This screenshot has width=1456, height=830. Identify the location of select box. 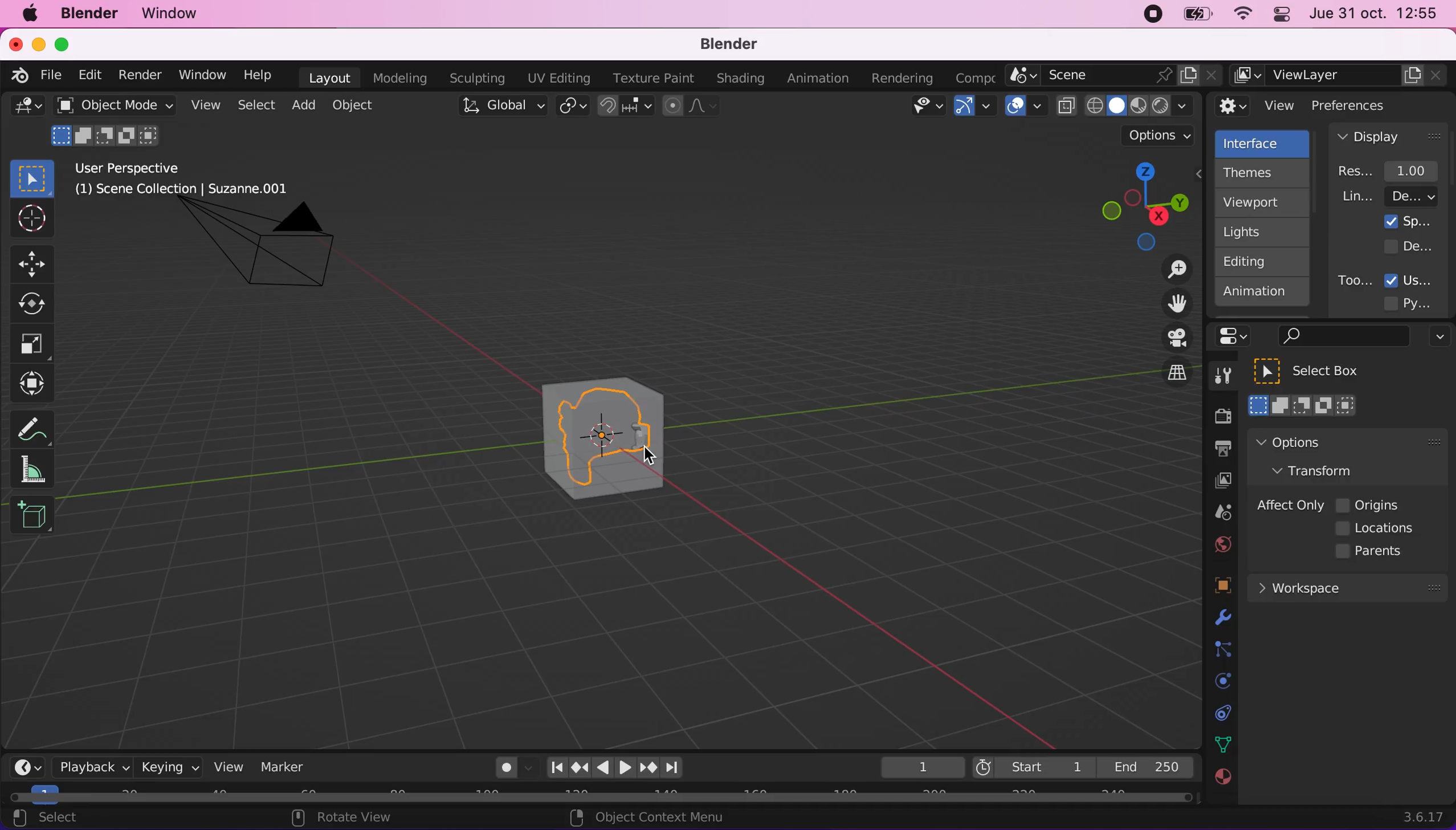
(32, 178).